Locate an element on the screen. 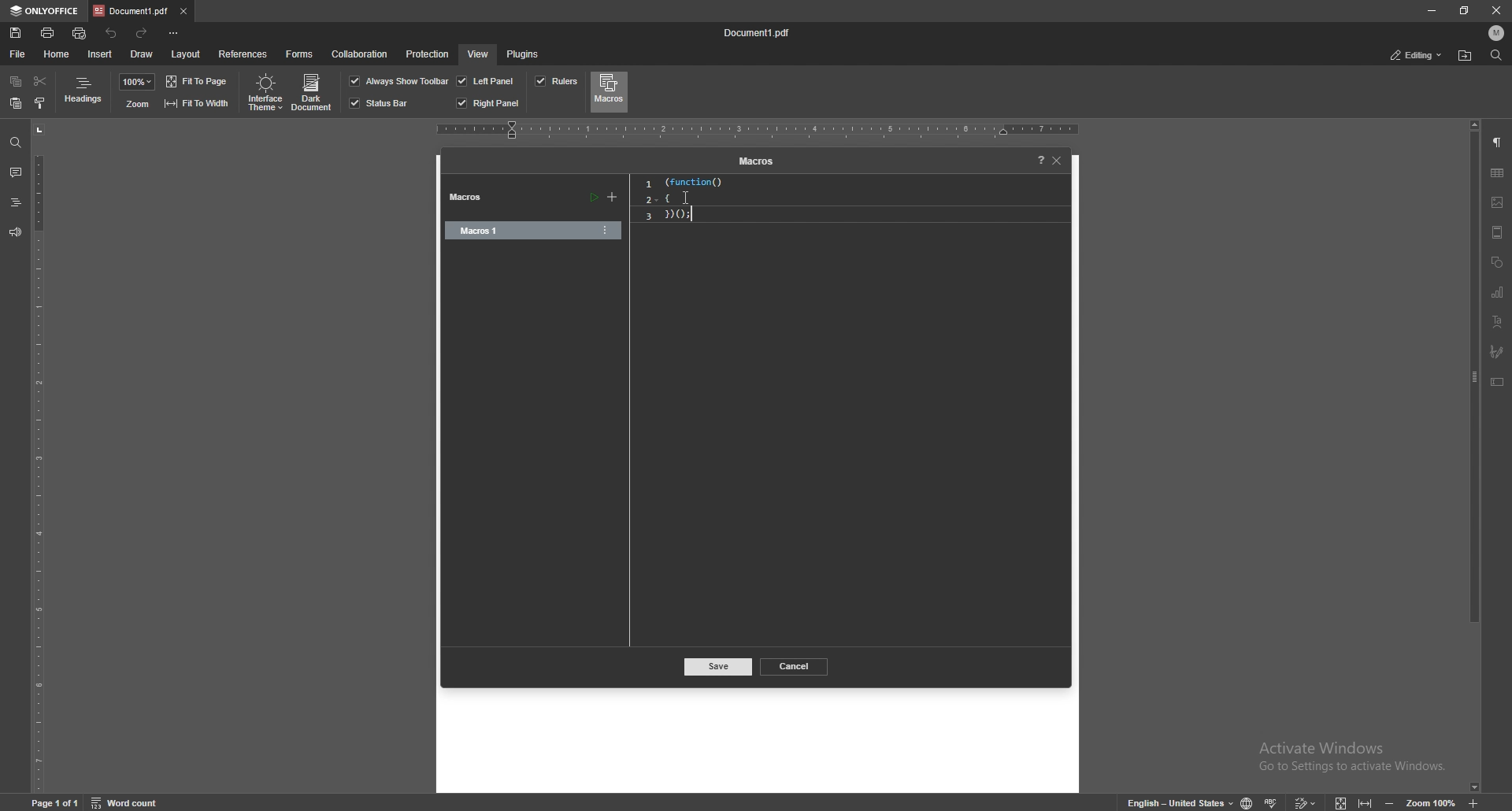  status bar is located at coordinates (380, 103).